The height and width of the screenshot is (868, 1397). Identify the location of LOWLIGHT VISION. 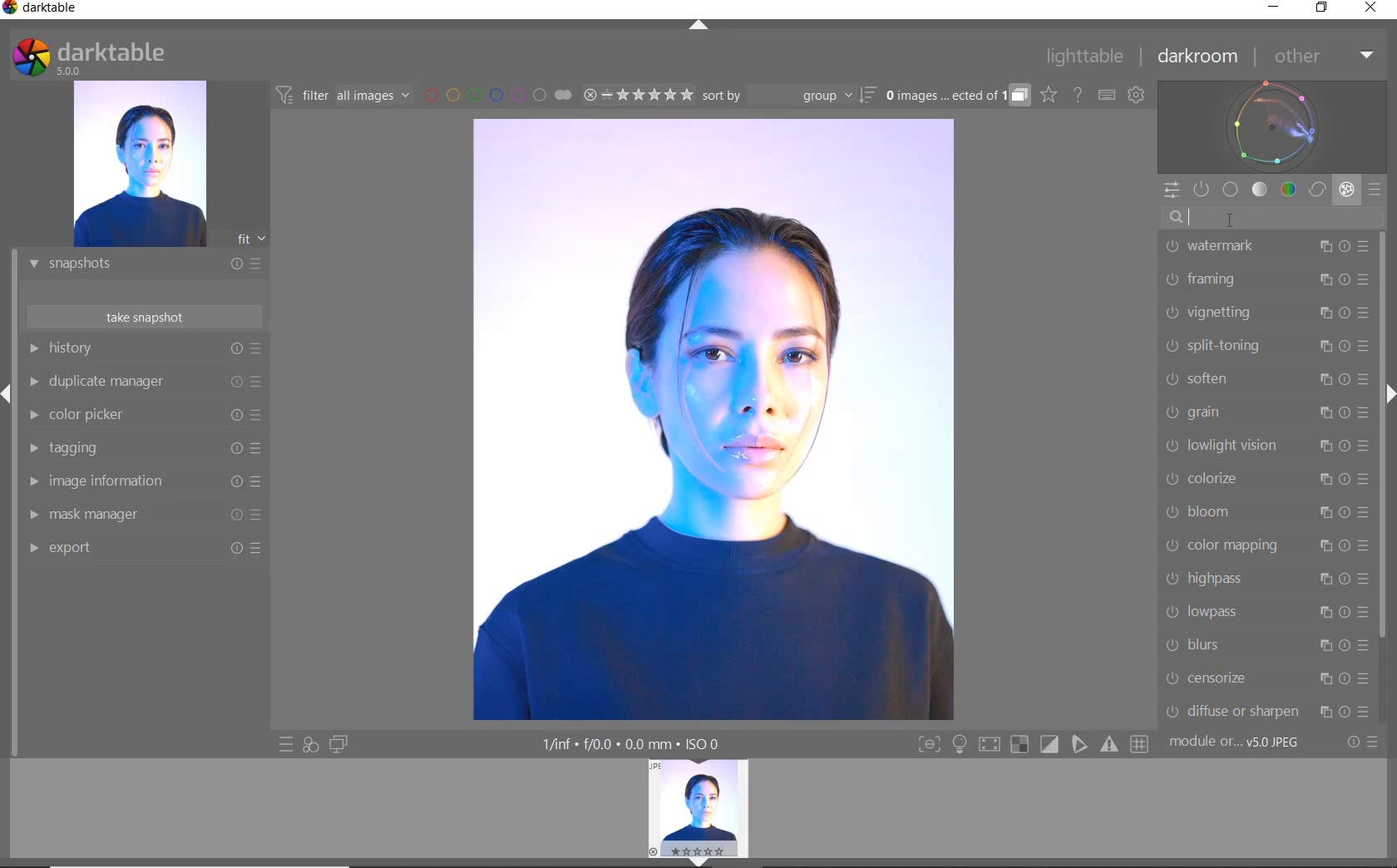
(1266, 446).